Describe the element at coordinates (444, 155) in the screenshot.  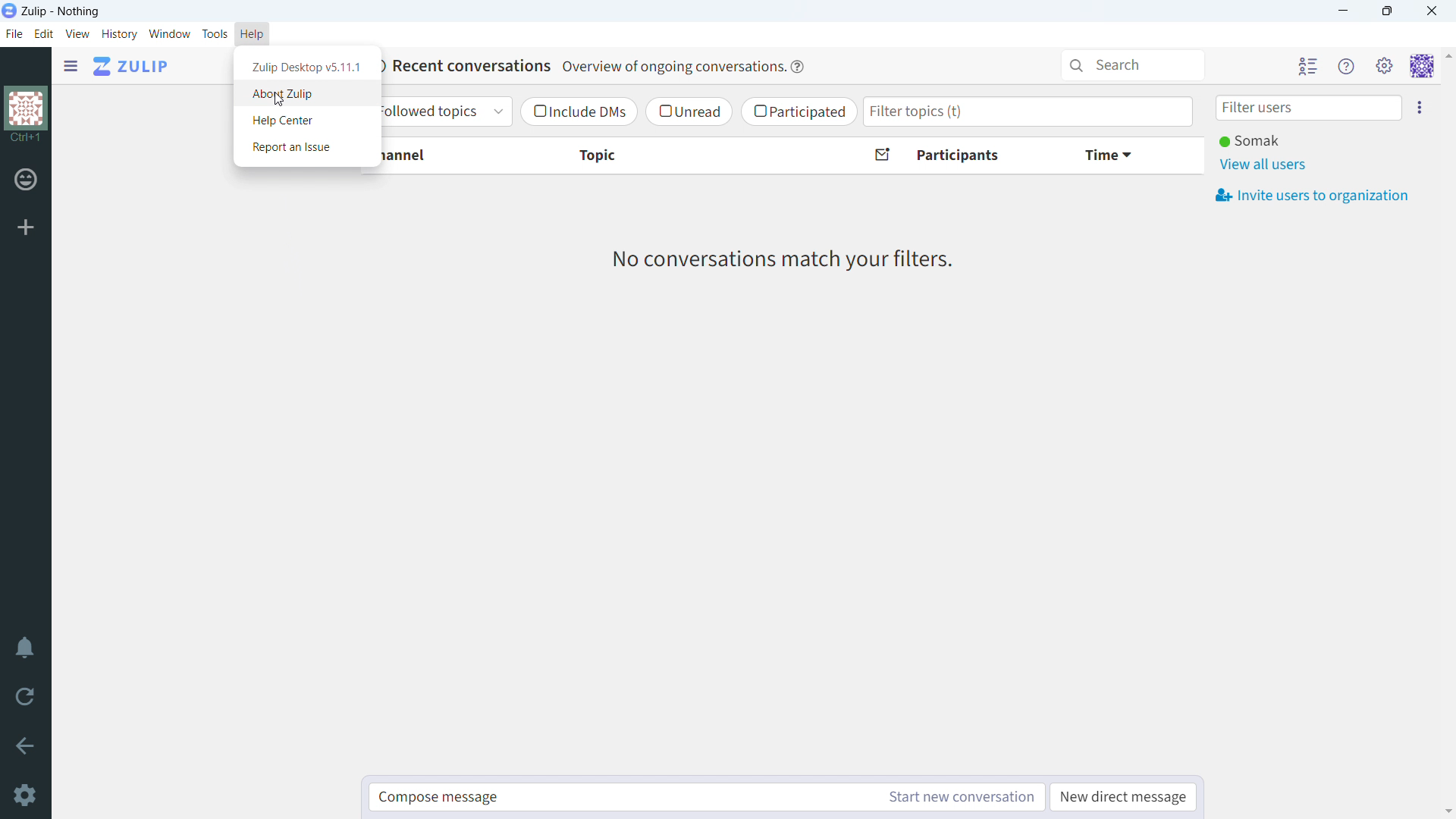
I see `channel` at that location.